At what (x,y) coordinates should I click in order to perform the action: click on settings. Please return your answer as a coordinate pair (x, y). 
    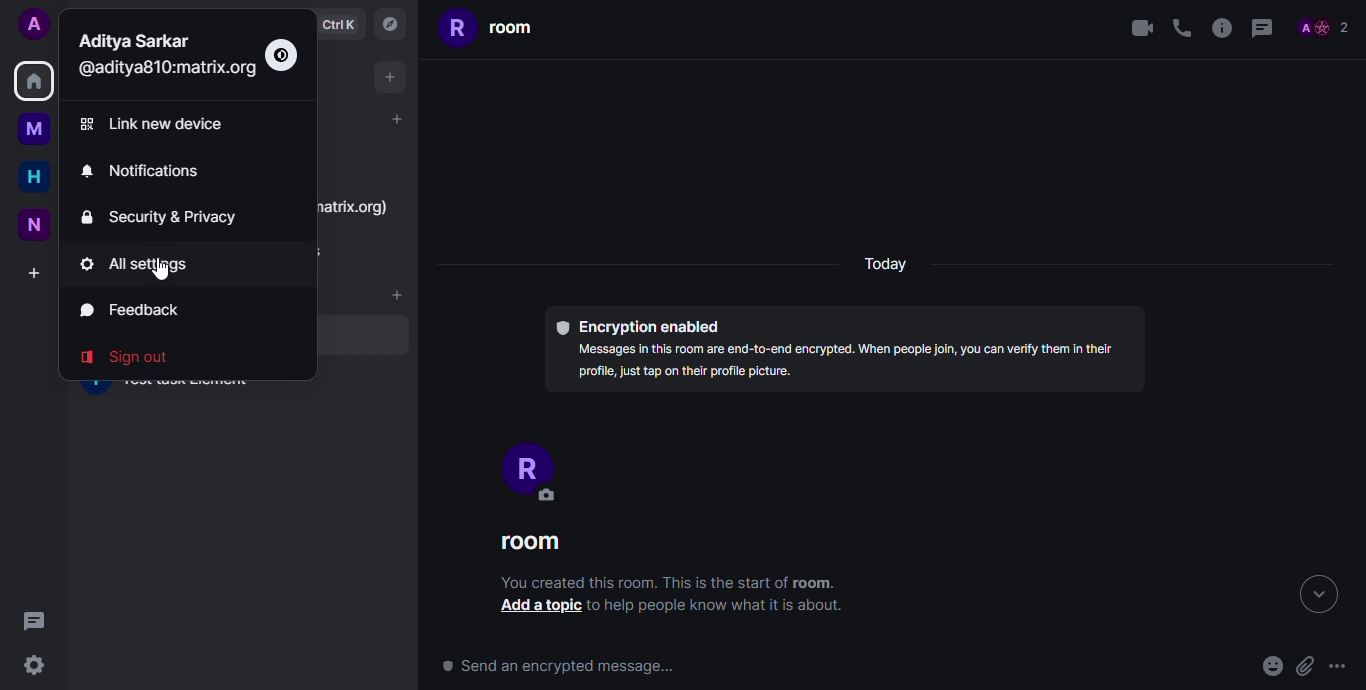
    Looking at the image, I should click on (34, 665).